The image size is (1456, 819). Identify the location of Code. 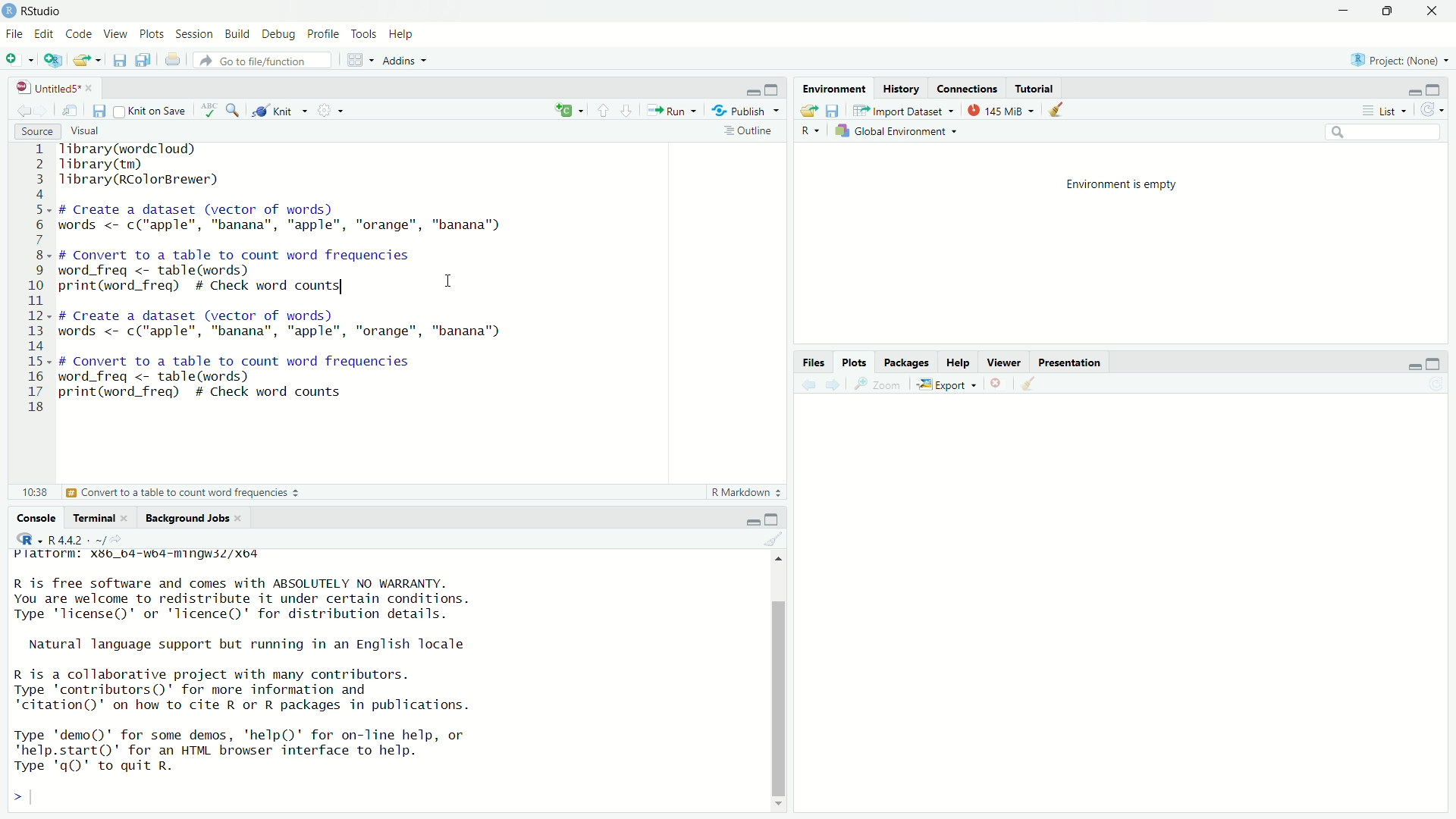
(78, 35).